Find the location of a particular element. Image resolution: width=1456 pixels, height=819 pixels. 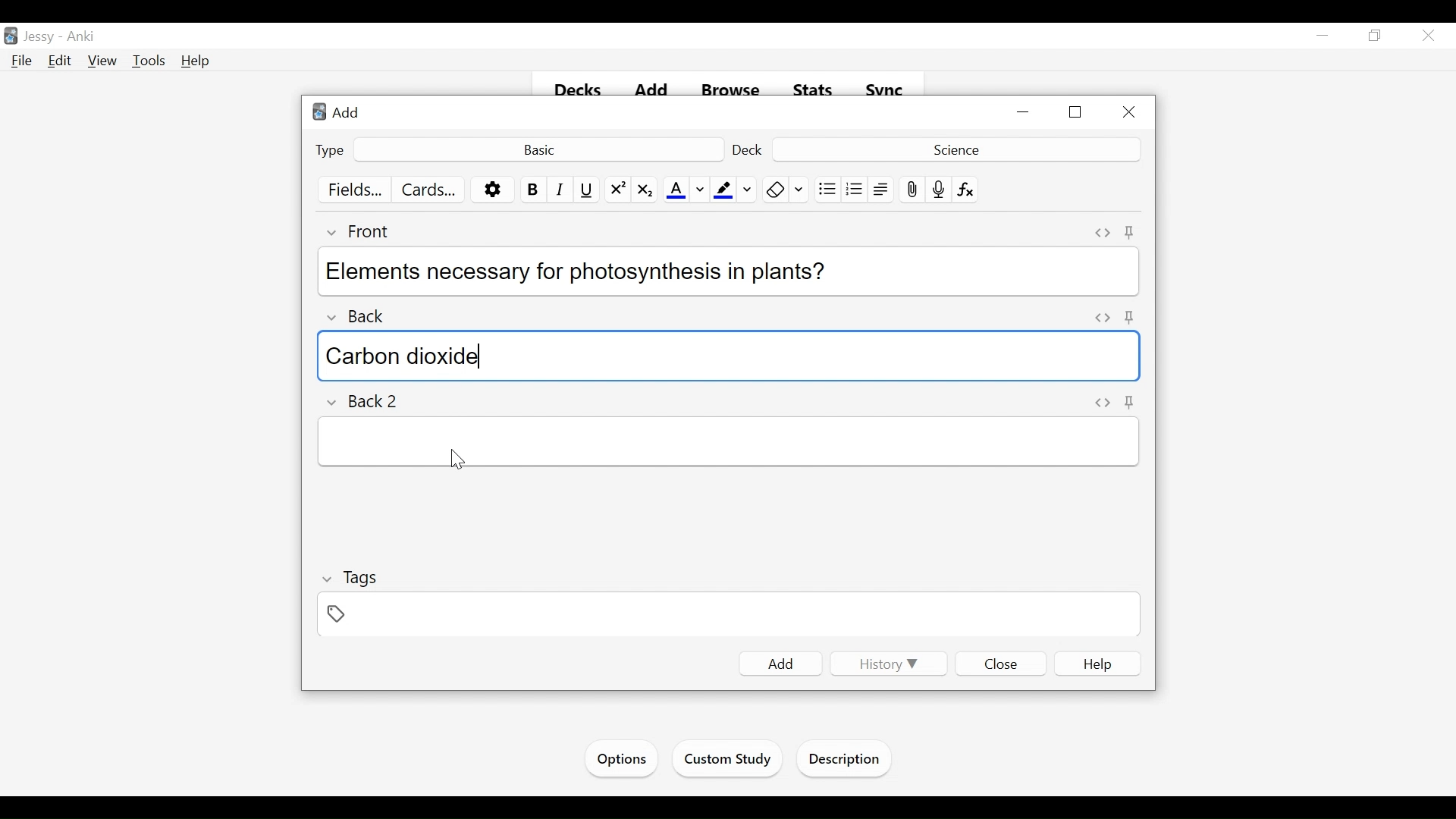

Ordered list is located at coordinates (855, 190).